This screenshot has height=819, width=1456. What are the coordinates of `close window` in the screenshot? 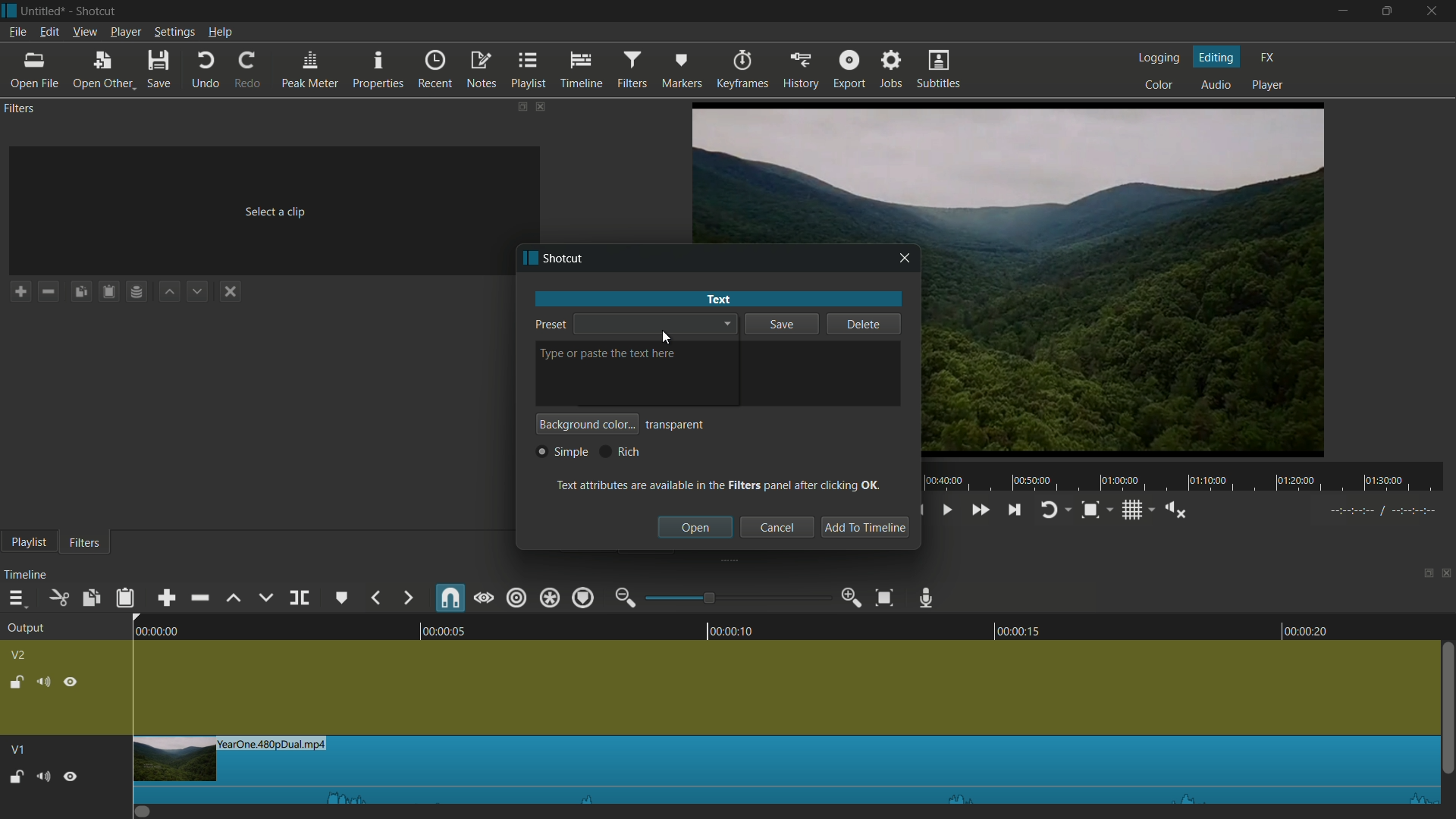 It's located at (905, 259).